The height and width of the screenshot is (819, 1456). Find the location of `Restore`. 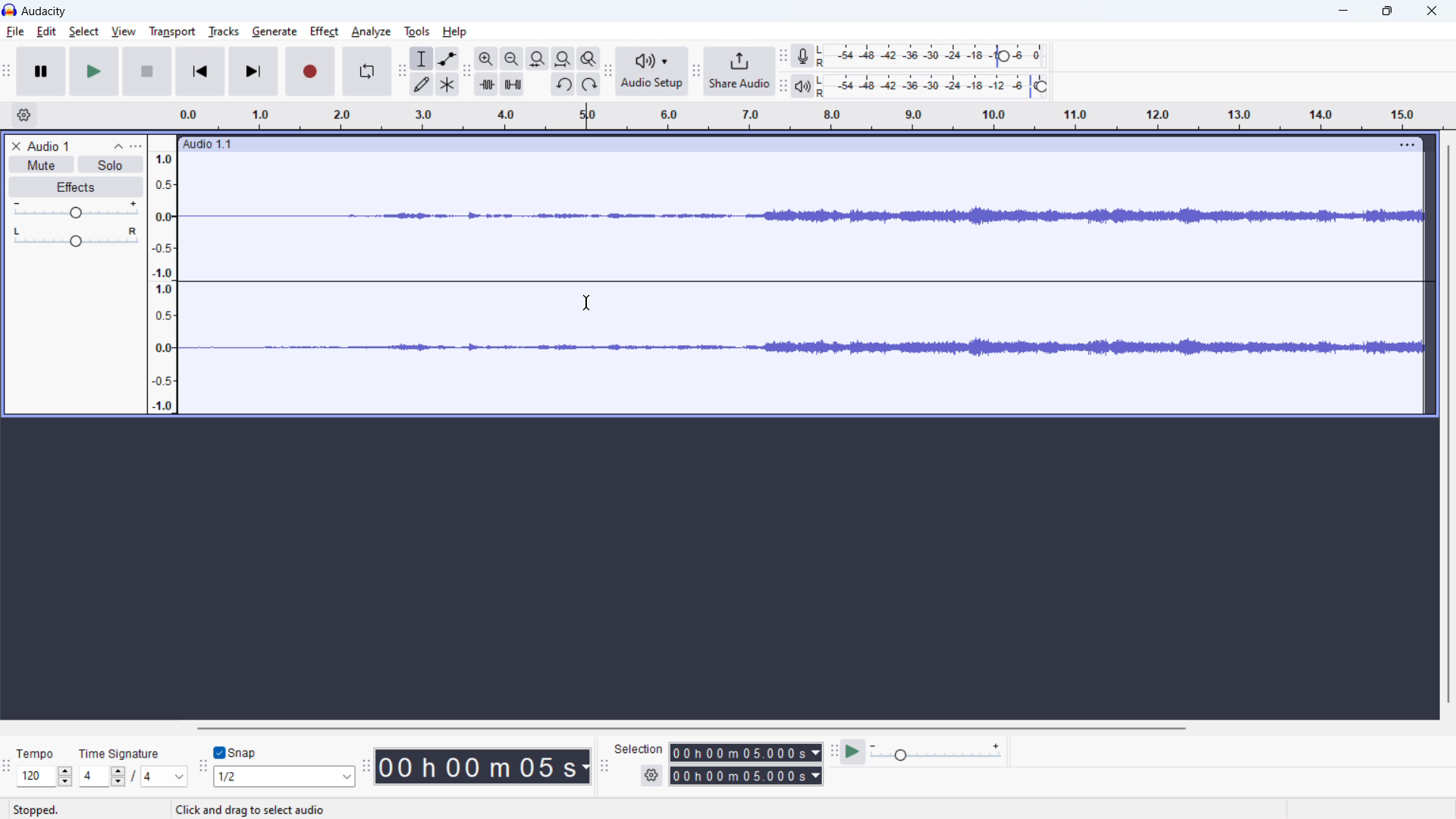

Restore is located at coordinates (1386, 10).